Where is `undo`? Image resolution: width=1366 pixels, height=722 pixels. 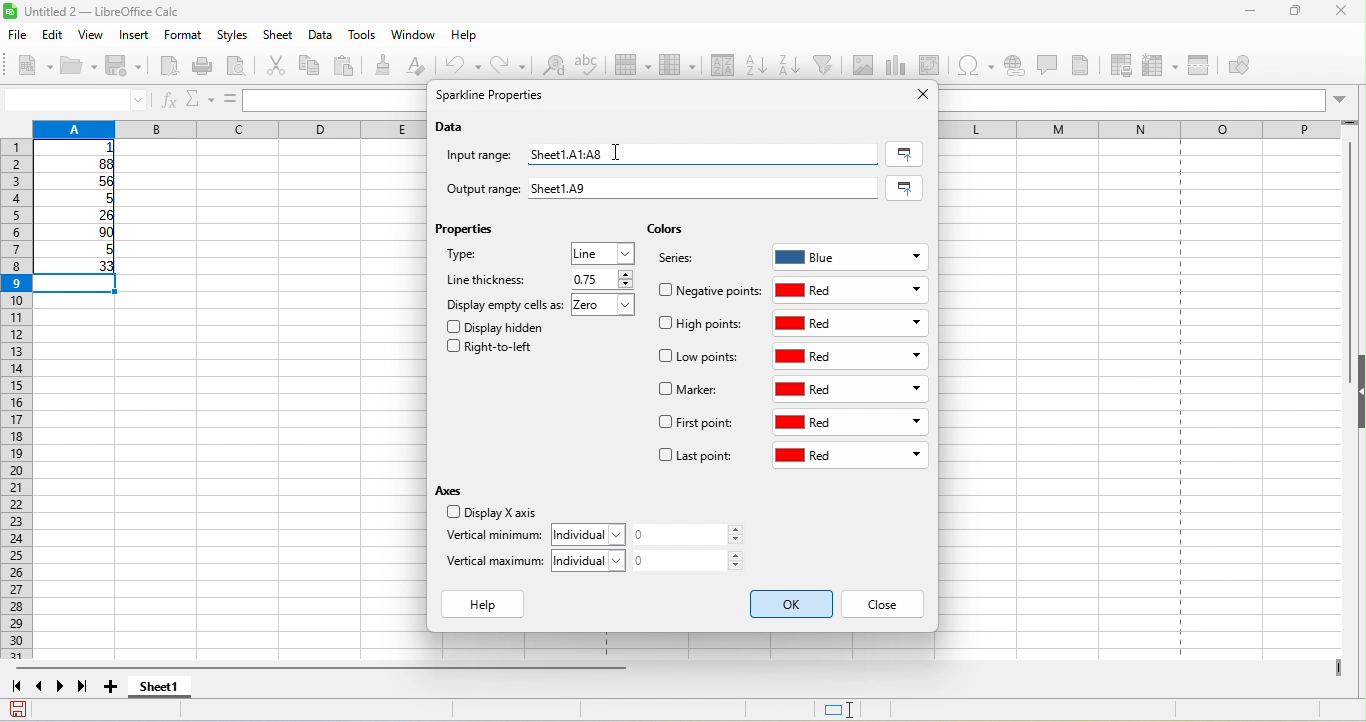 undo is located at coordinates (467, 65).